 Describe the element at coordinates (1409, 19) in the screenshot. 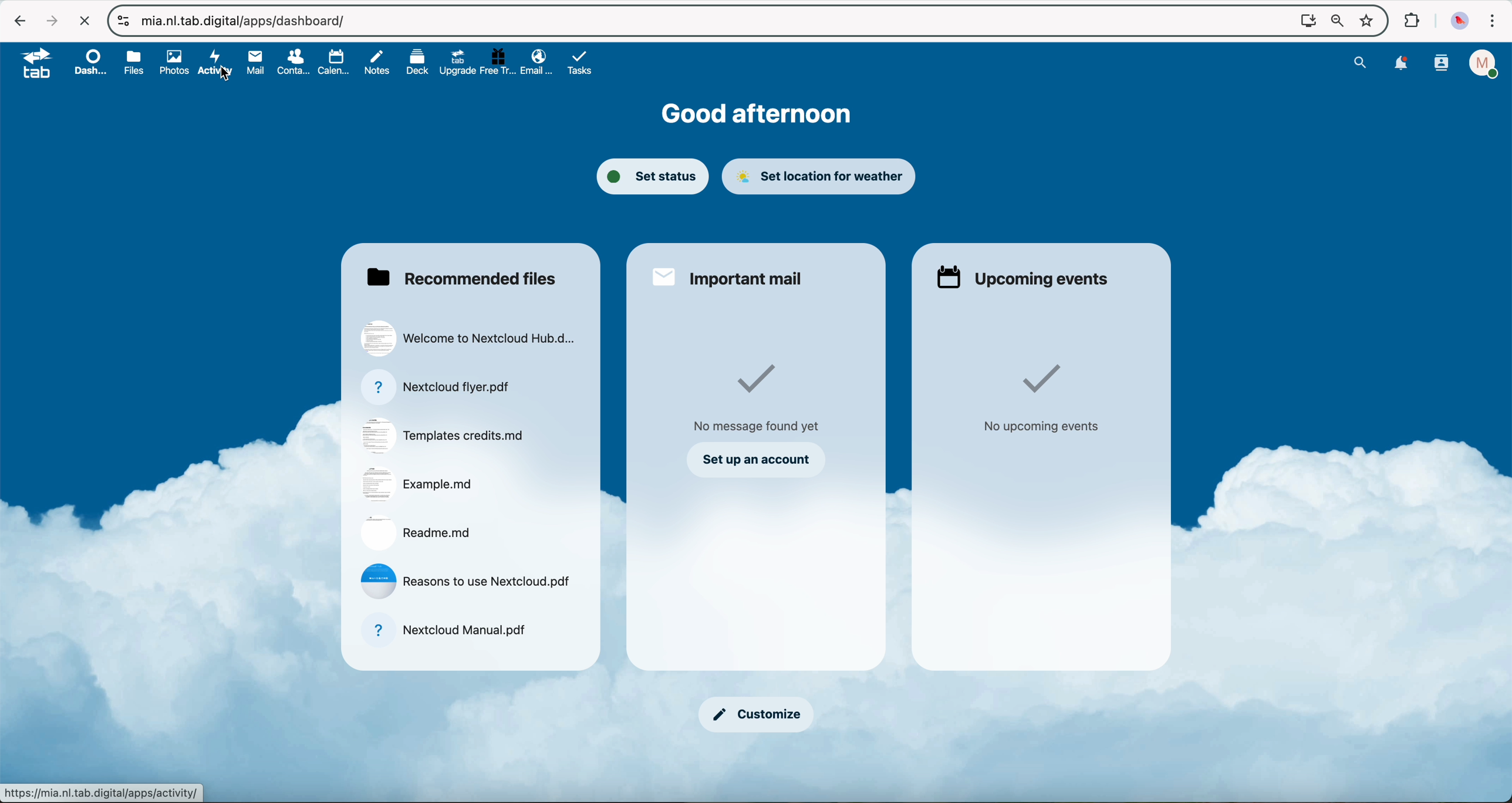

I see `extensions` at that location.